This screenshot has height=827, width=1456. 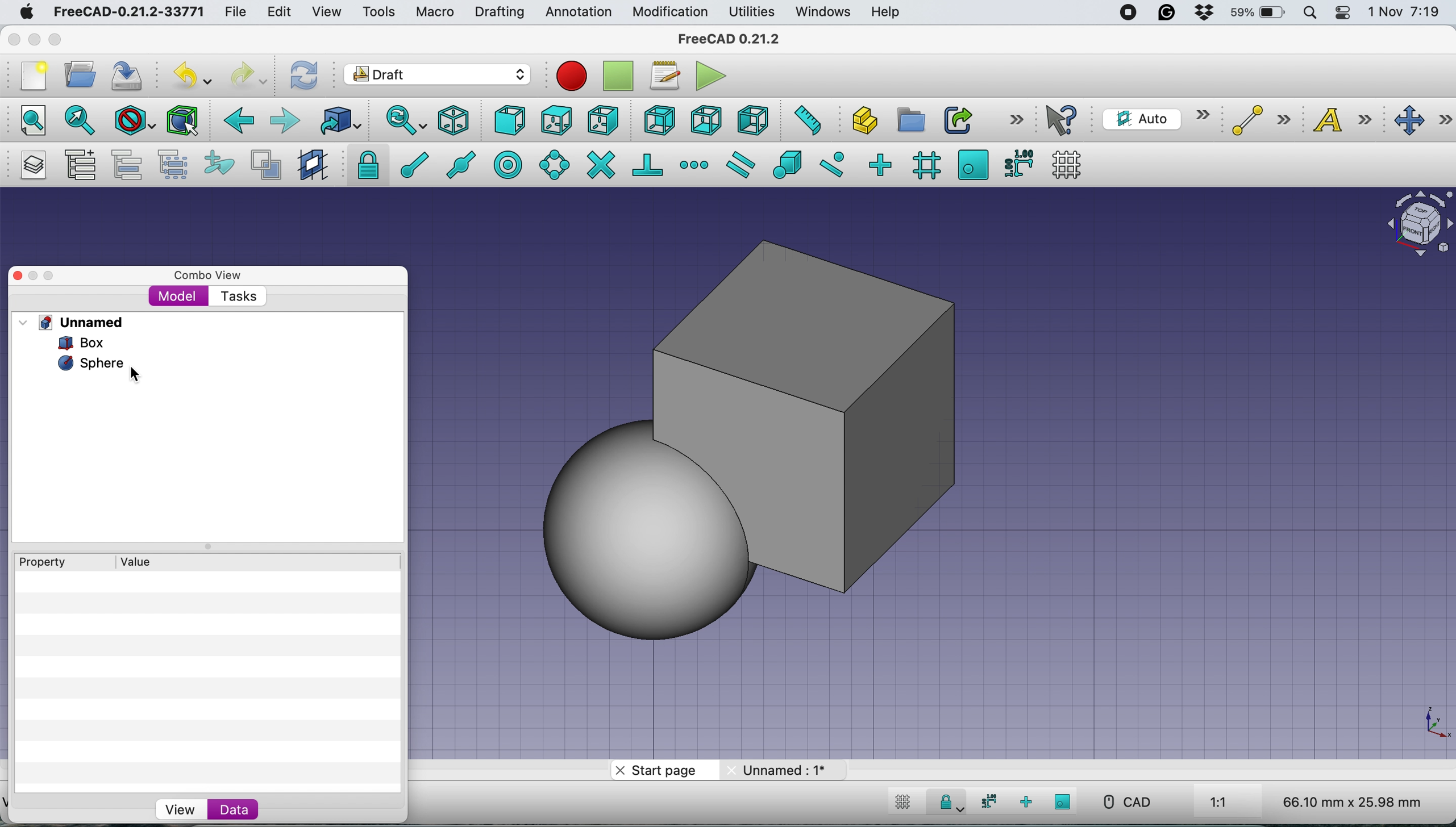 I want to click on maximise, so click(x=54, y=274).